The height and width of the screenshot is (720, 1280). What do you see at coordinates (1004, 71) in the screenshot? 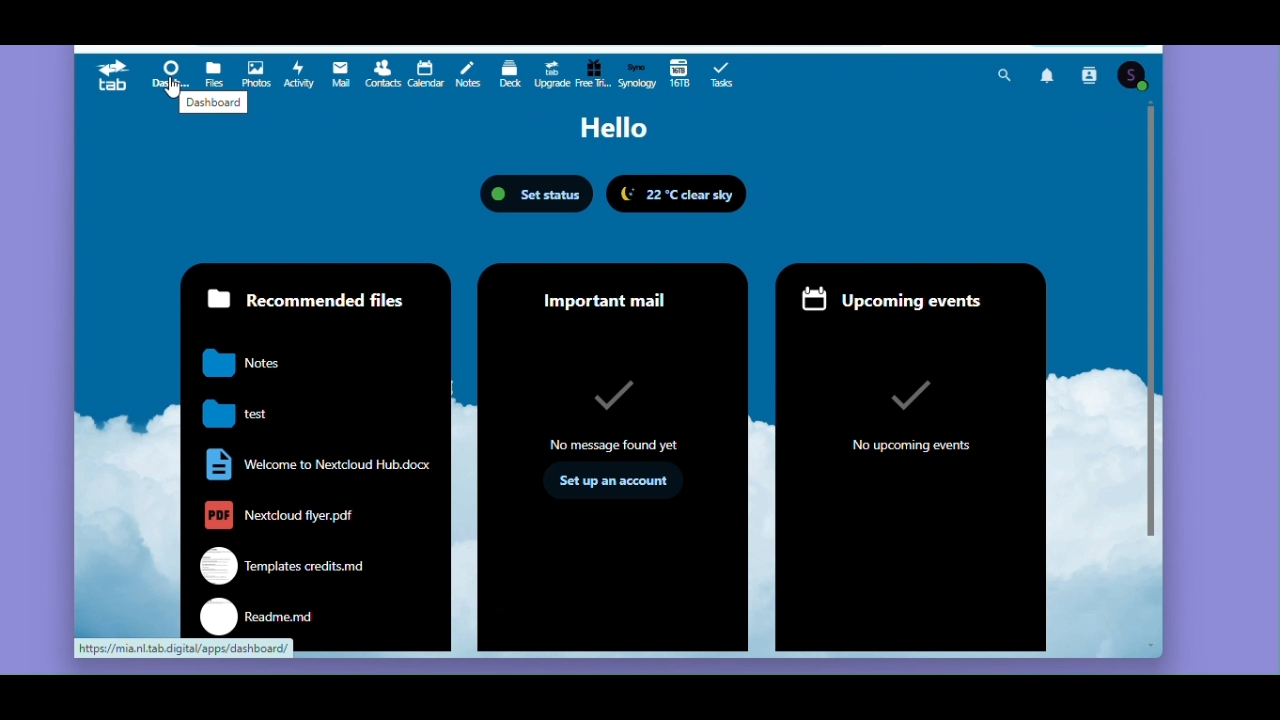
I see `Search` at bounding box center [1004, 71].